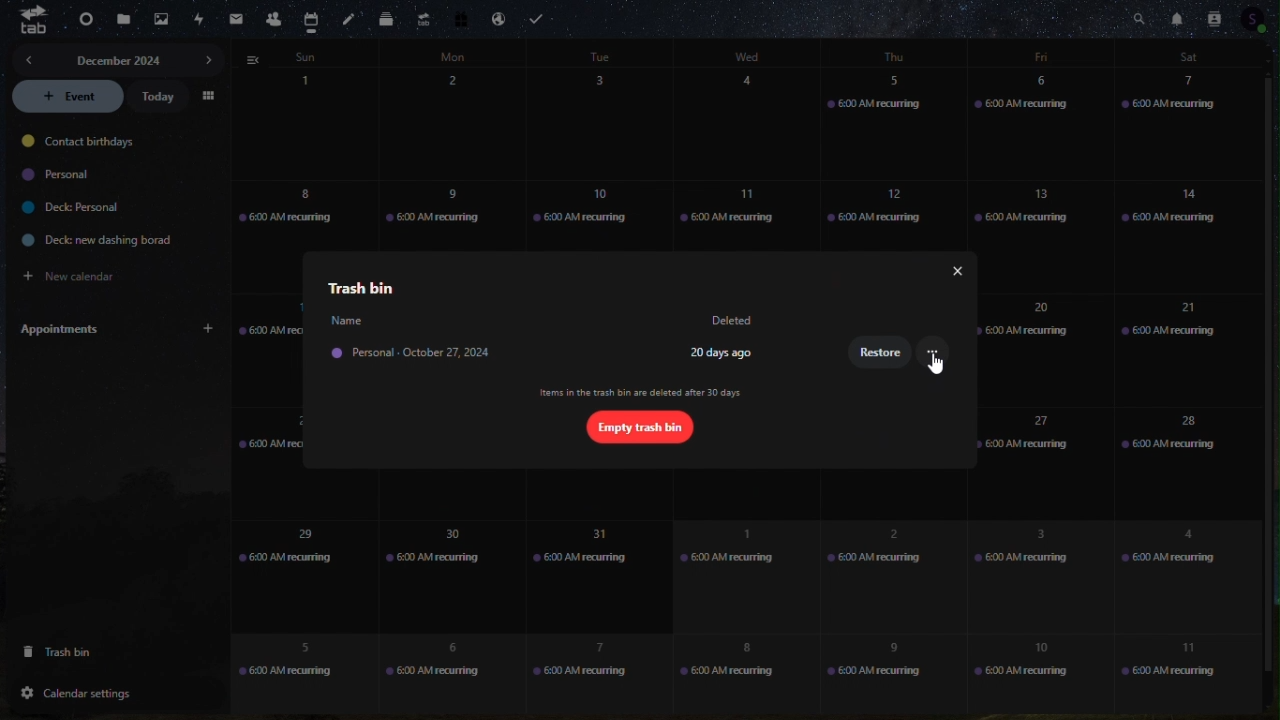 This screenshot has width=1280, height=720. Describe the element at coordinates (86, 690) in the screenshot. I see `calendar settings` at that location.